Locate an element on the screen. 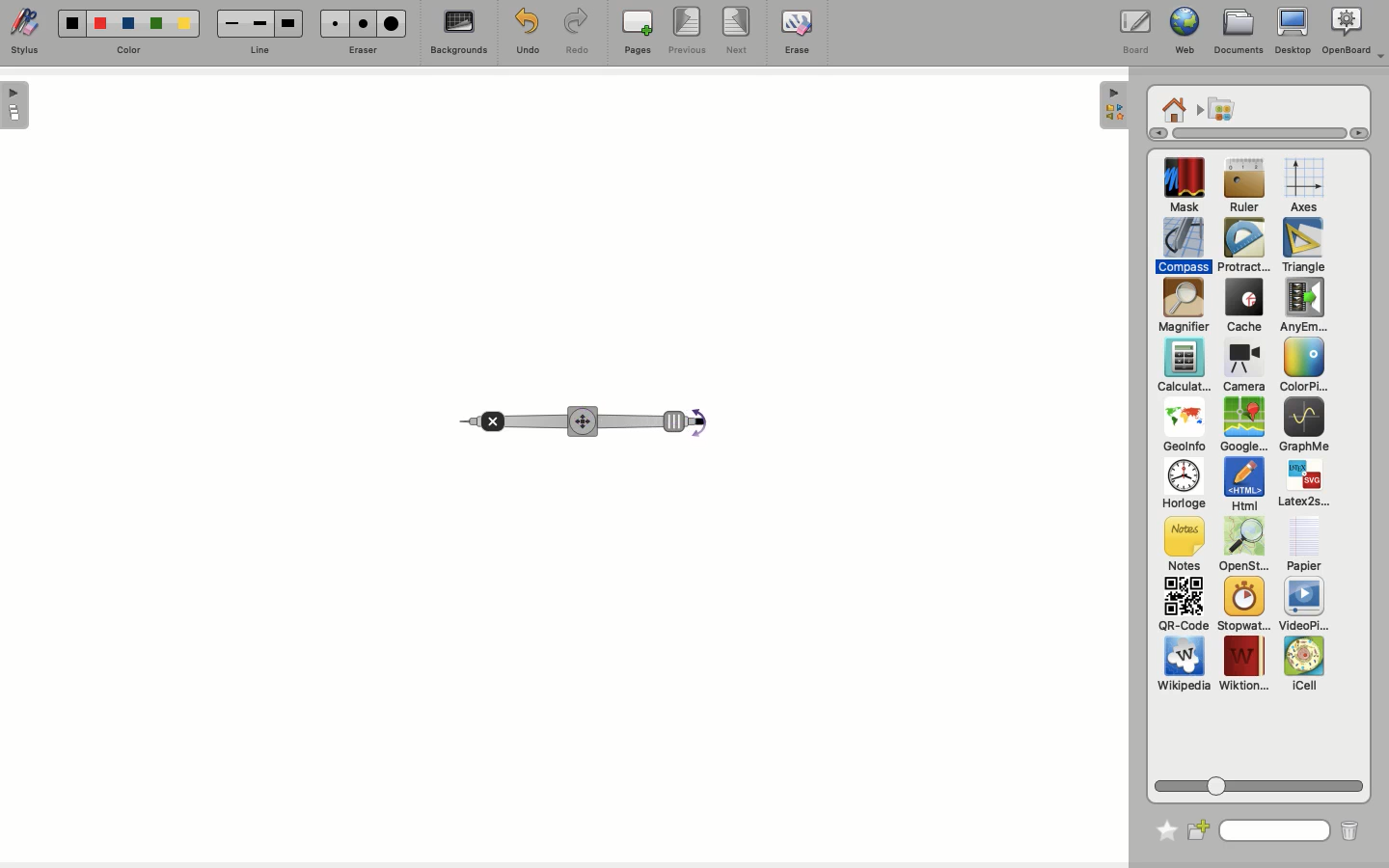 The width and height of the screenshot is (1389, 868). Position is located at coordinates (582, 422).